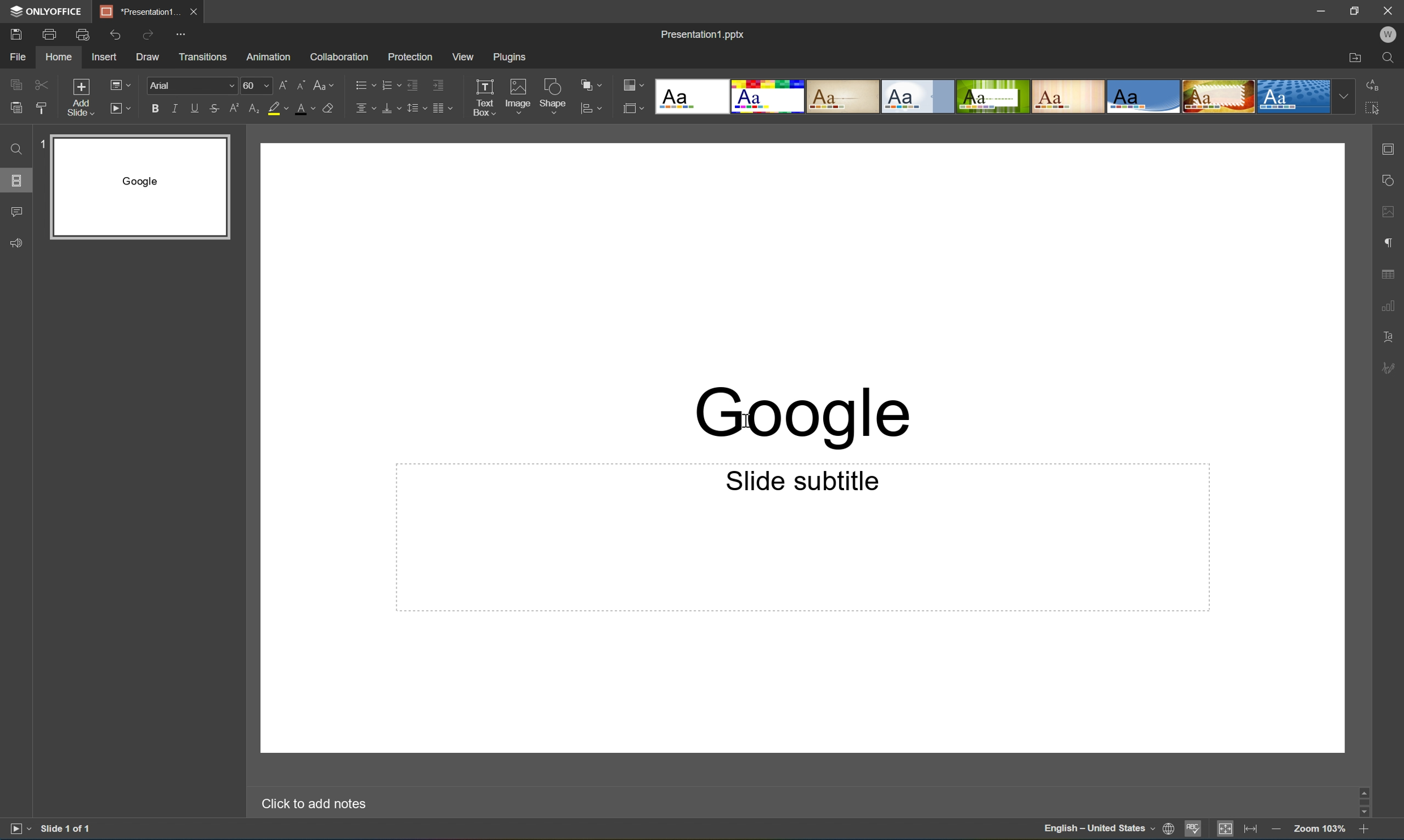  What do you see at coordinates (1388, 11) in the screenshot?
I see `Close` at bounding box center [1388, 11].